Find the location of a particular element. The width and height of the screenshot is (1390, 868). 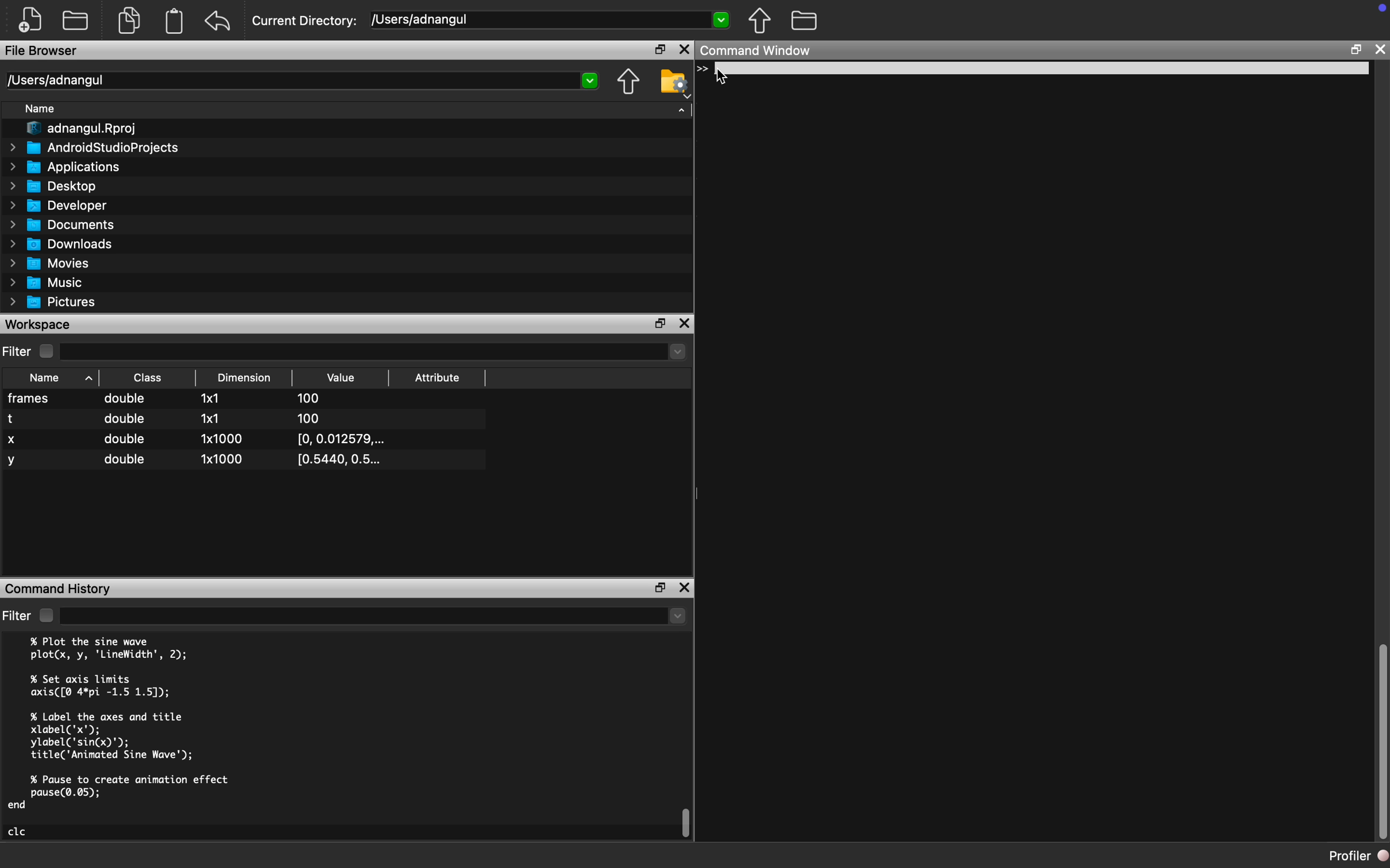

Restore Down is located at coordinates (661, 589).